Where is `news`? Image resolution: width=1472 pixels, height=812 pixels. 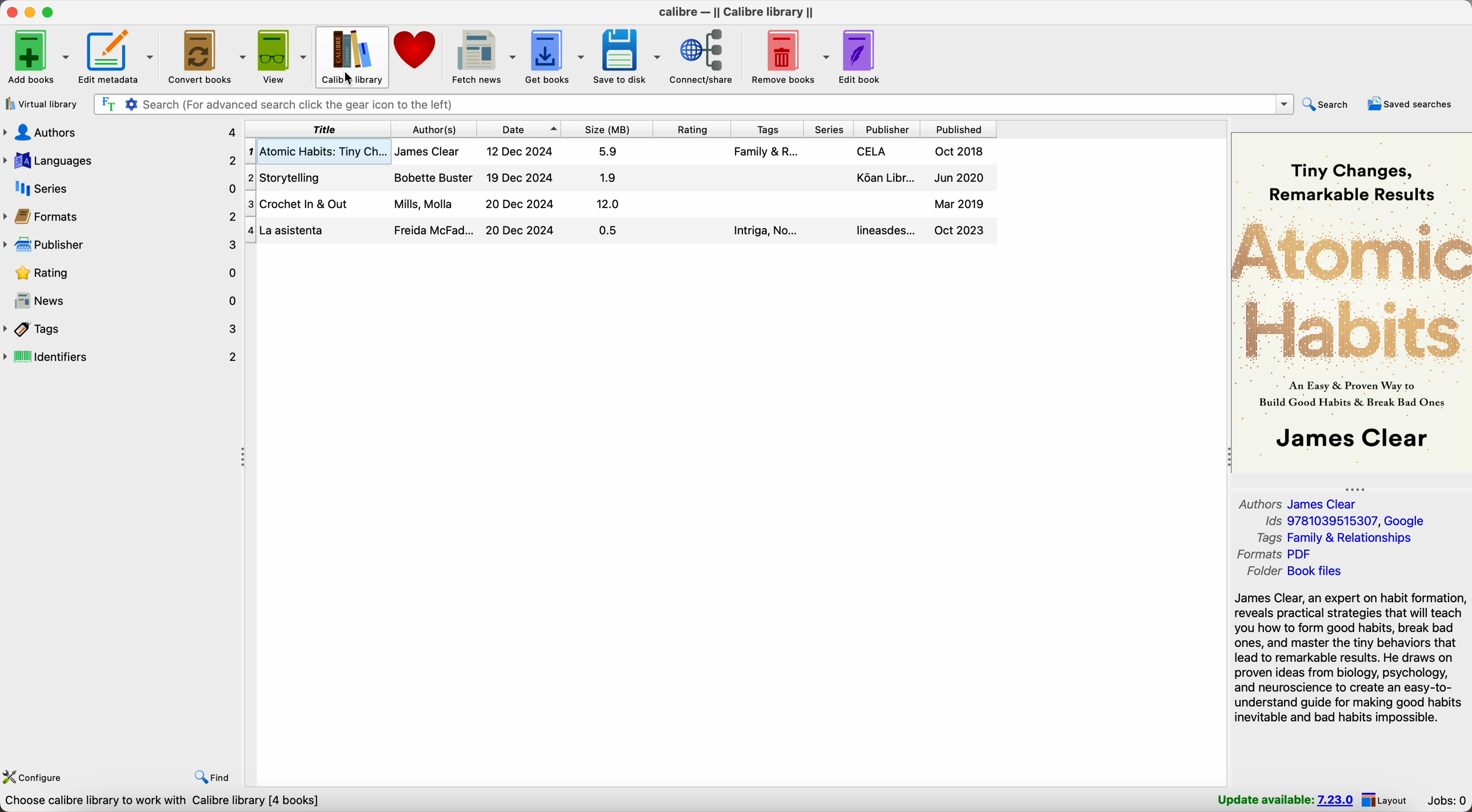 news is located at coordinates (122, 302).